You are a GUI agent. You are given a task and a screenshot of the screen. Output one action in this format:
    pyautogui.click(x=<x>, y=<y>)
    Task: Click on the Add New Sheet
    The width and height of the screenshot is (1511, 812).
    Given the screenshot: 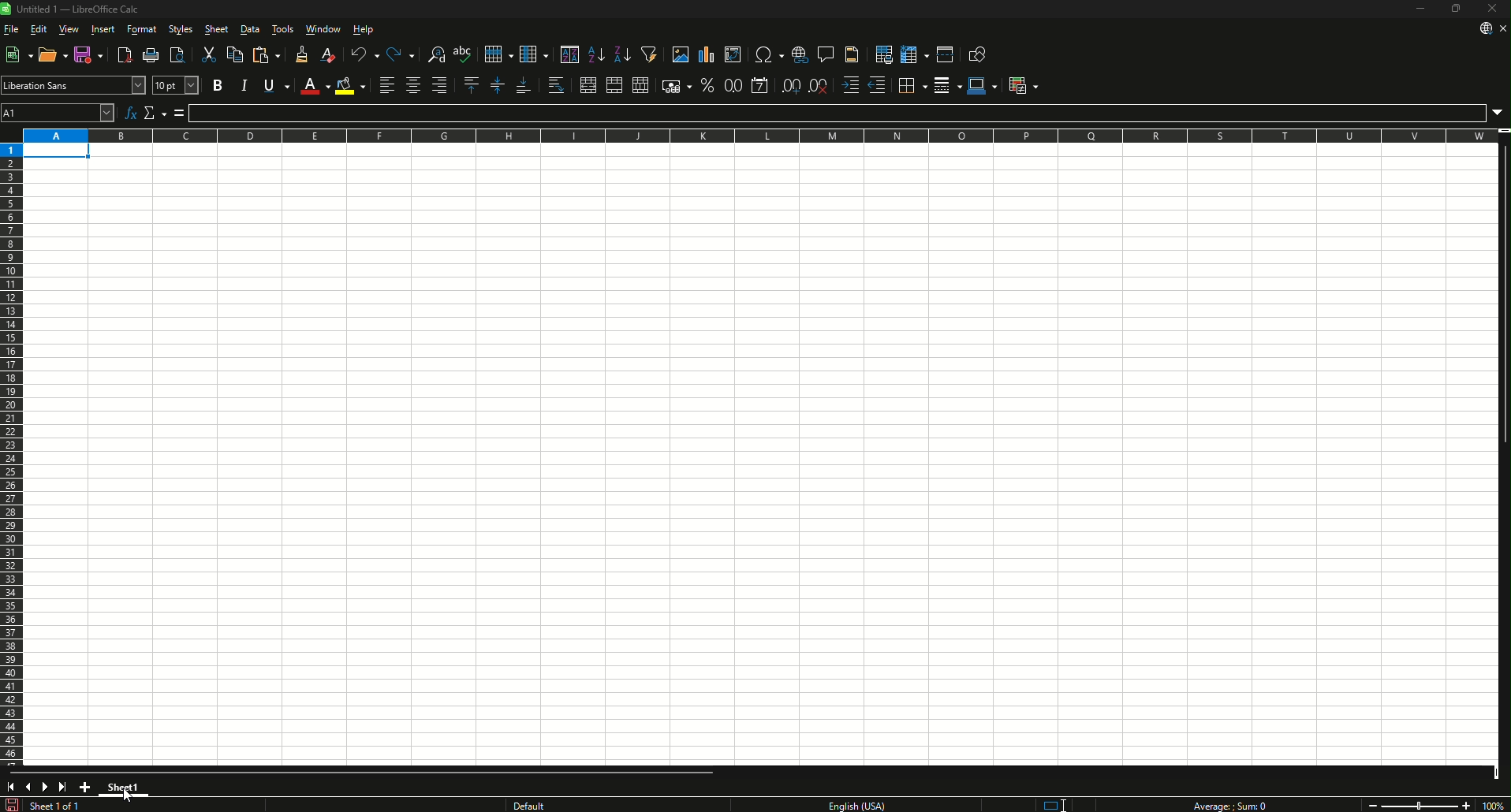 What is the action you would take?
    pyautogui.click(x=85, y=787)
    